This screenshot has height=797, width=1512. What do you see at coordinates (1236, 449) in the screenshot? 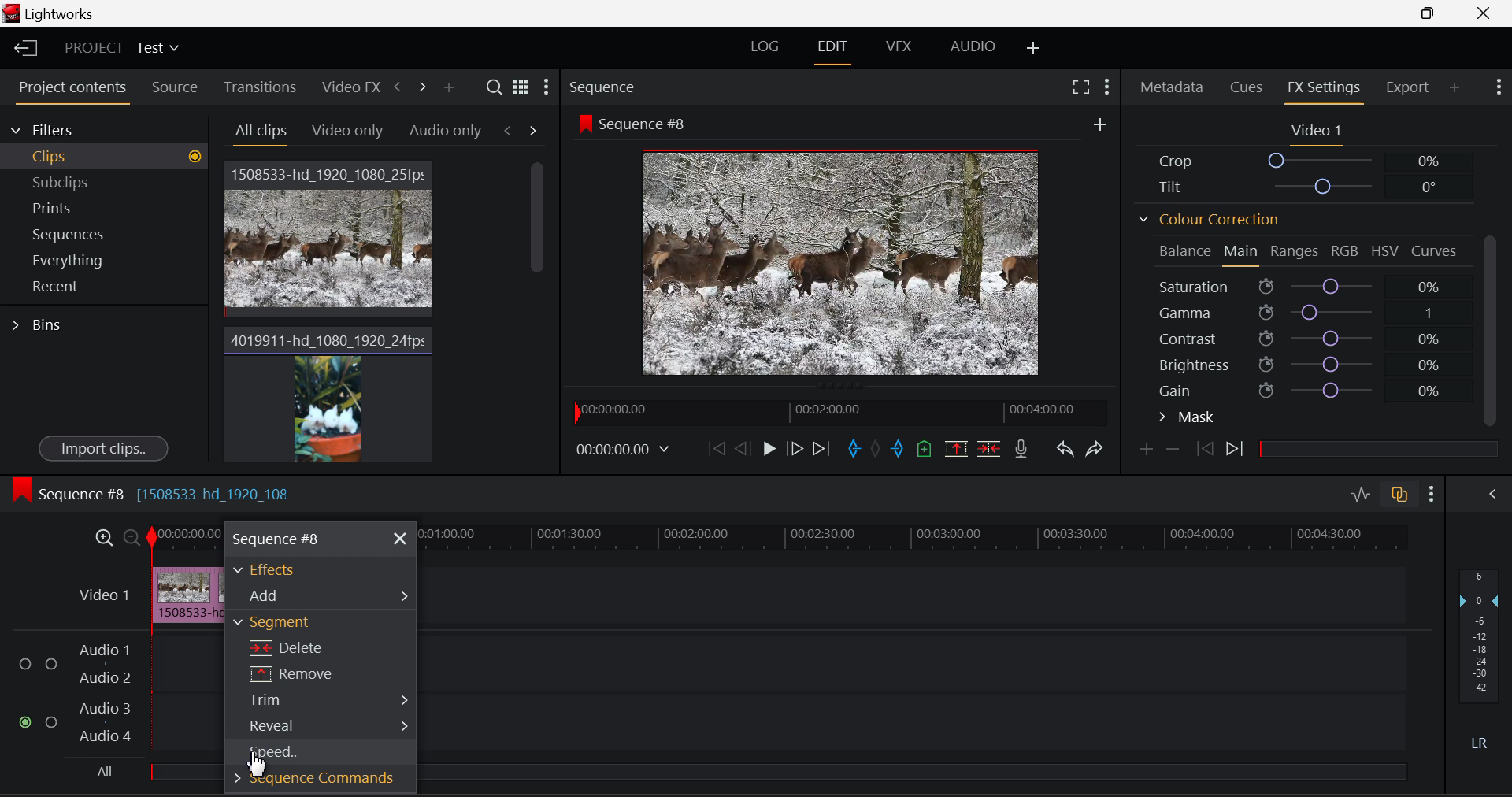
I see `Next Keyframe` at bounding box center [1236, 449].